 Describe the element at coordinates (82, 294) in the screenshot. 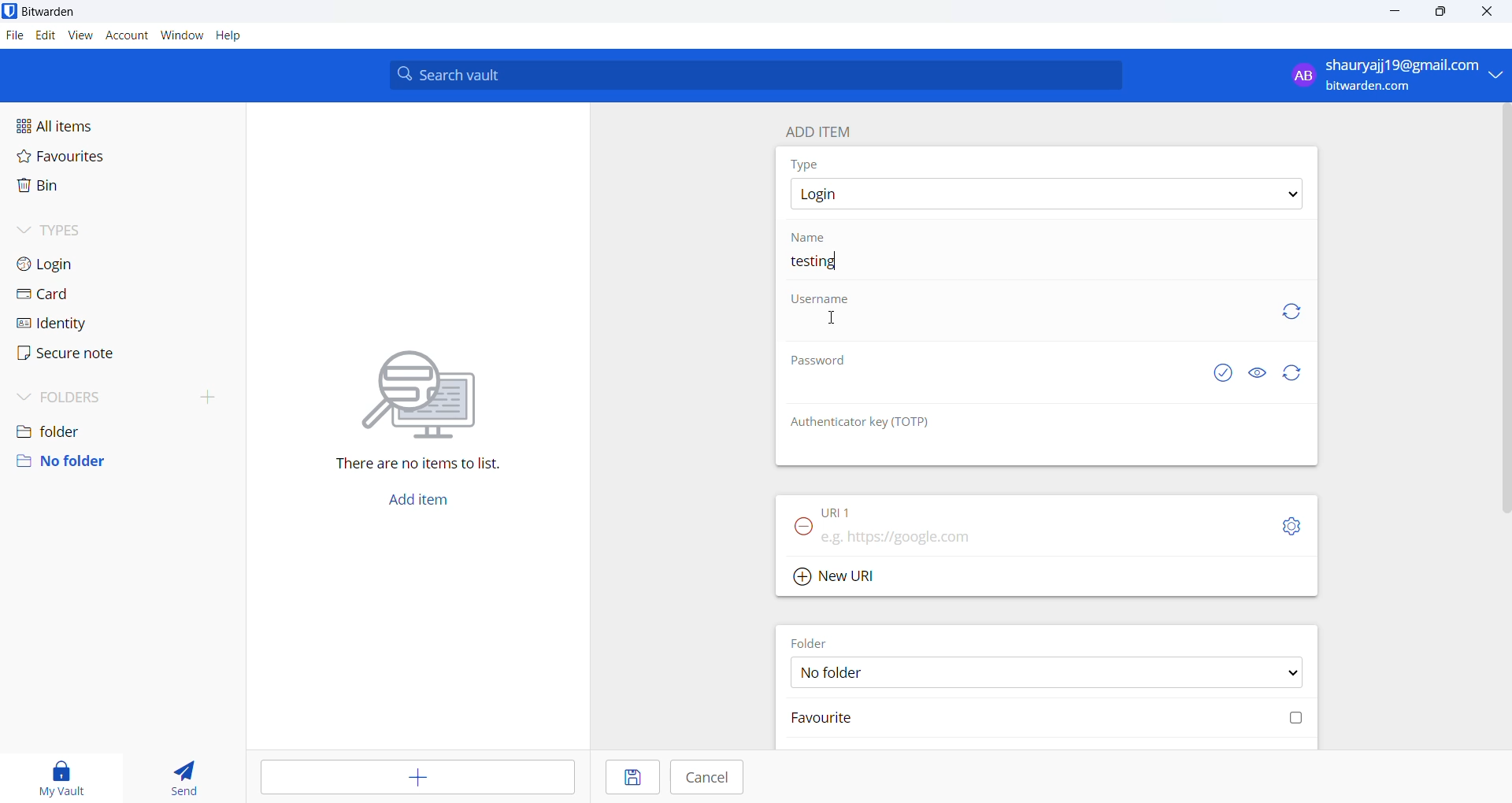

I see `card` at that location.